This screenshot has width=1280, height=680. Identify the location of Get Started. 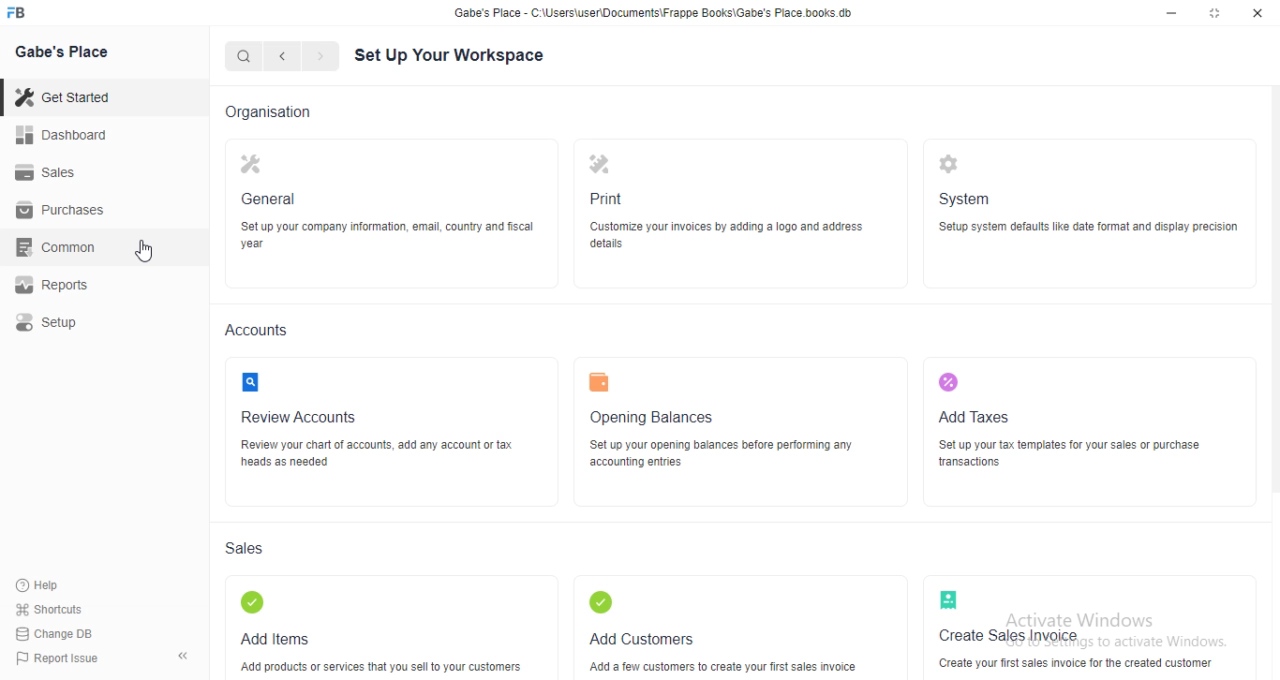
(67, 96).